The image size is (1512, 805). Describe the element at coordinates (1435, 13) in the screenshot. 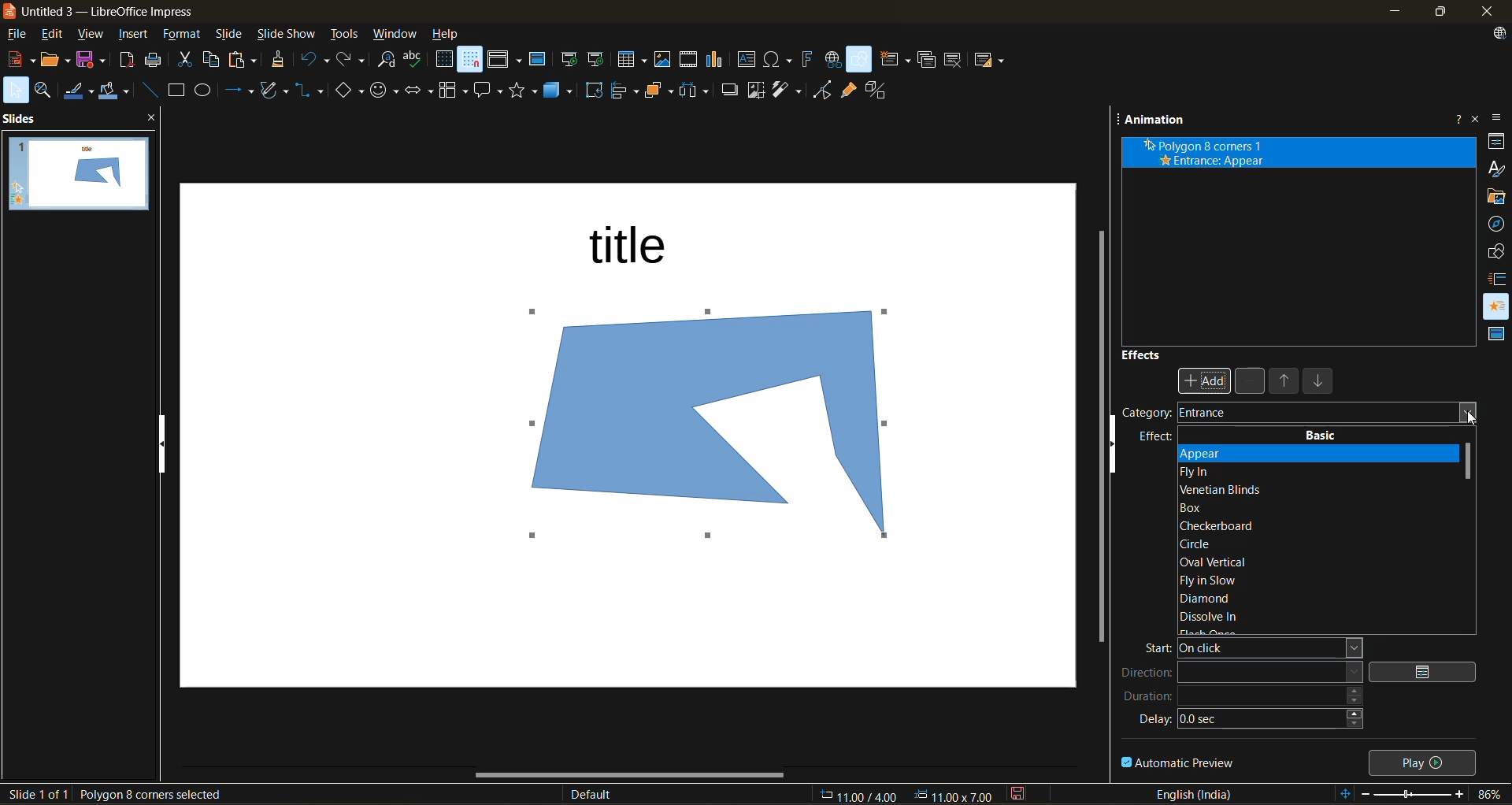

I see `maximize` at that location.